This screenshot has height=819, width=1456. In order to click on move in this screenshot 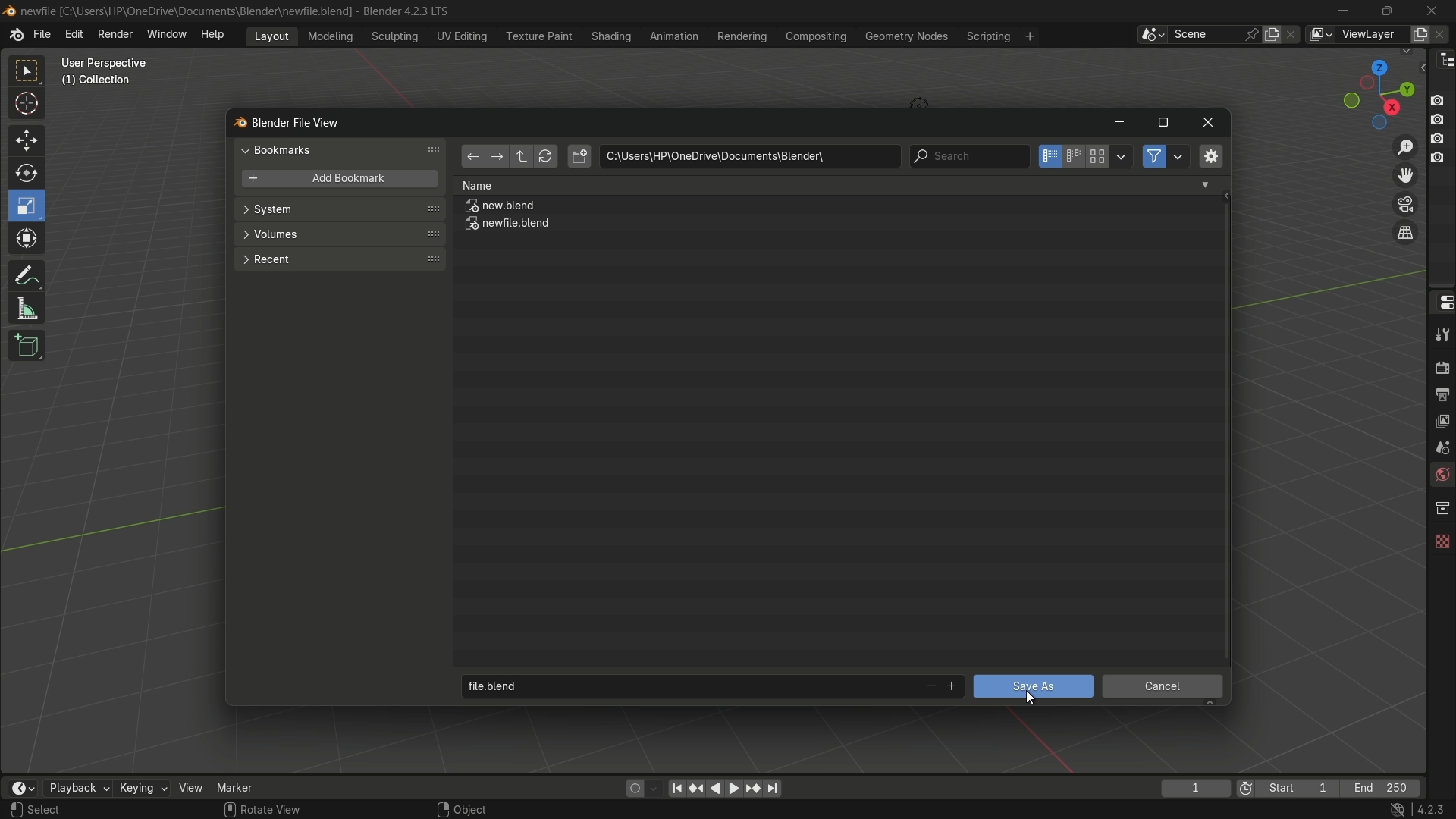, I will do `click(25, 139)`.